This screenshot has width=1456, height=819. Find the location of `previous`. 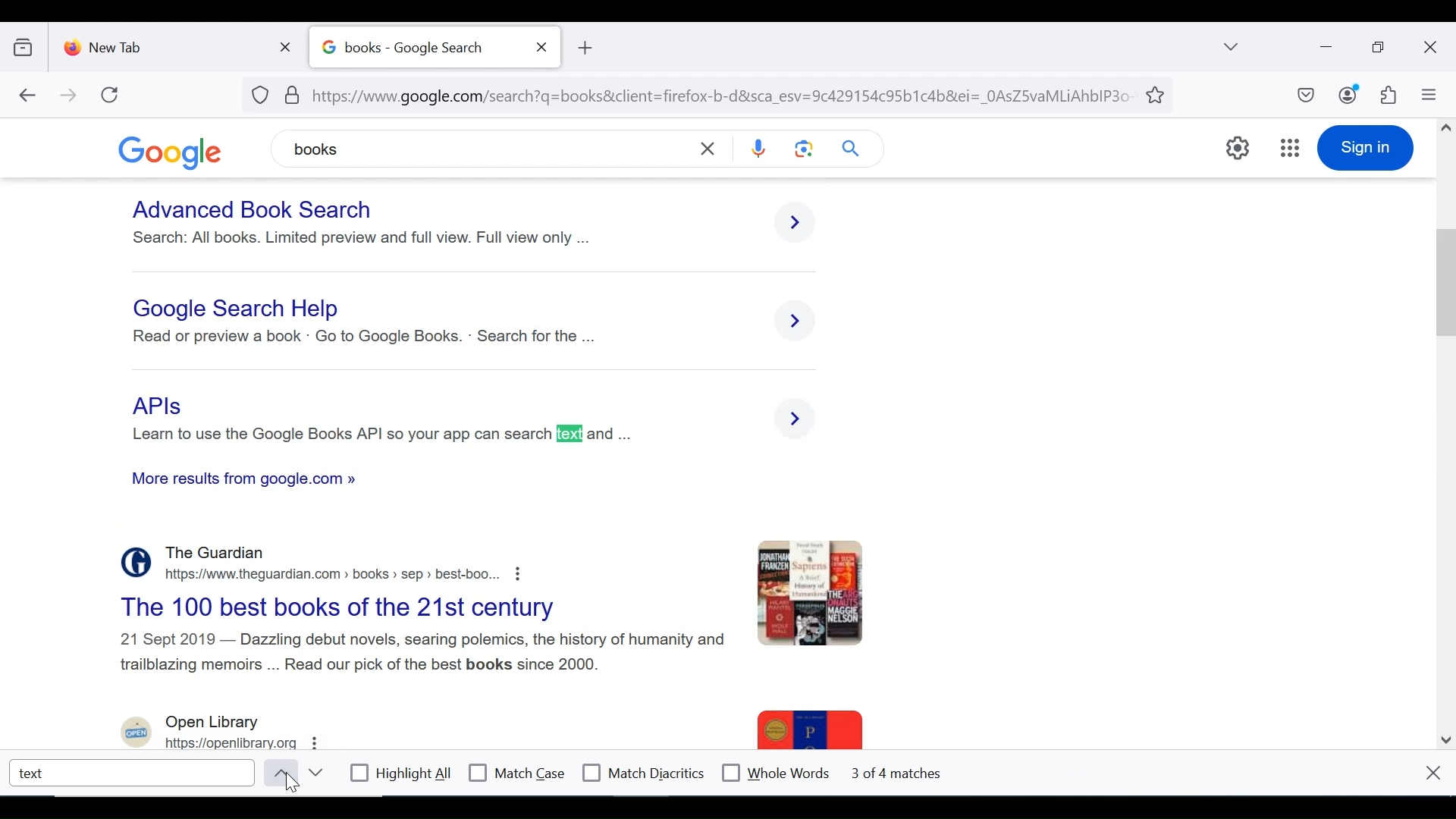

previous is located at coordinates (278, 773).